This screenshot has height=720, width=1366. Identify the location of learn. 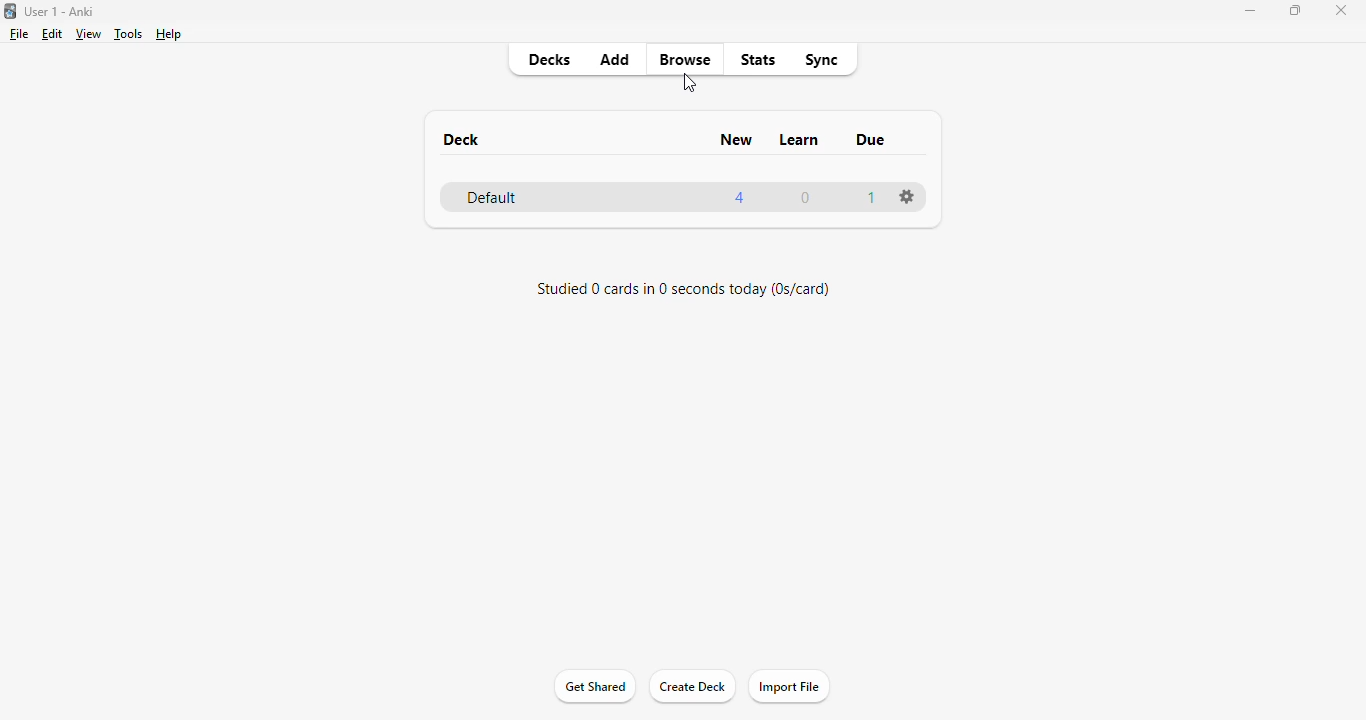
(800, 140).